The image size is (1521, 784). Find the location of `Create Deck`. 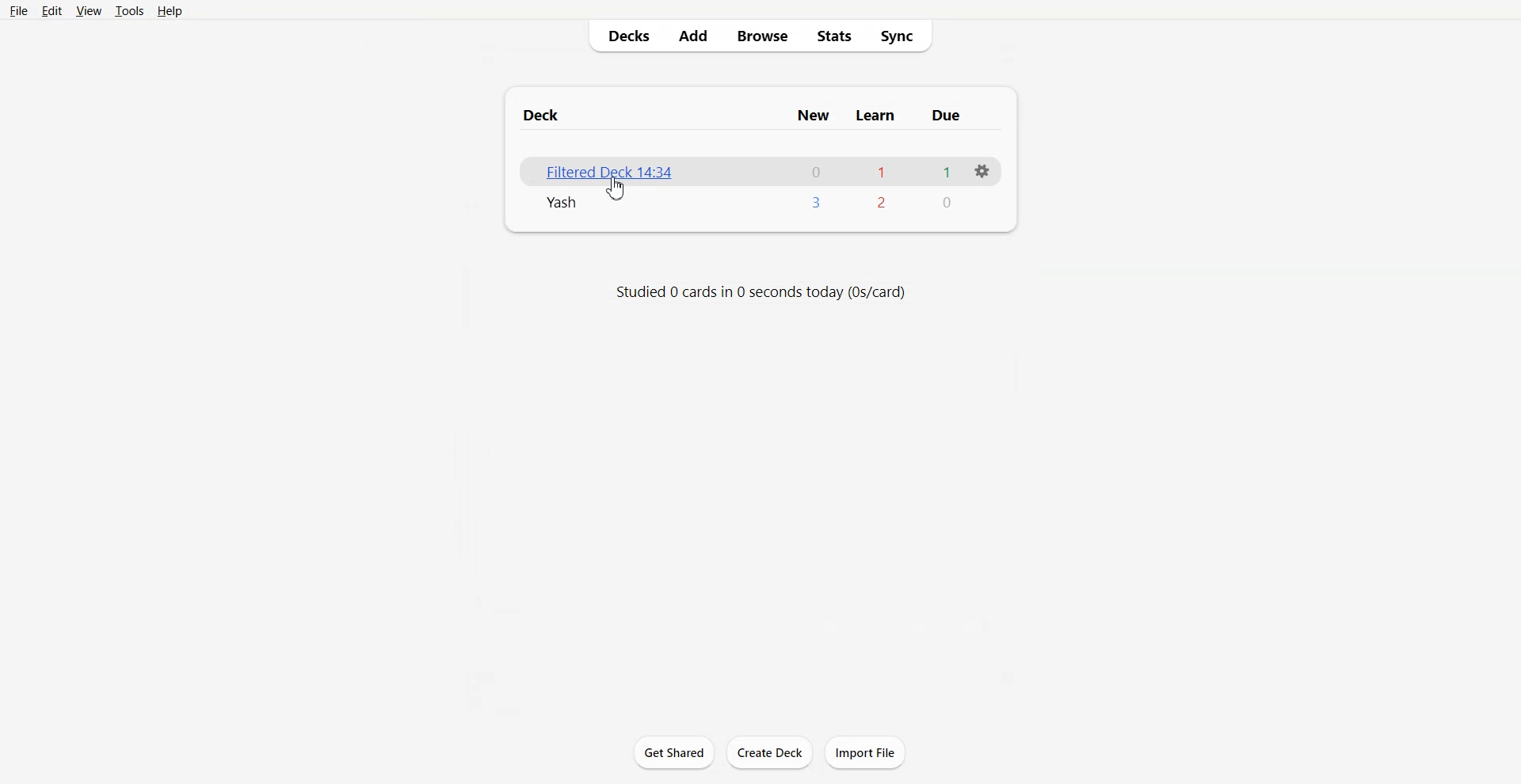

Create Deck is located at coordinates (769, 752).